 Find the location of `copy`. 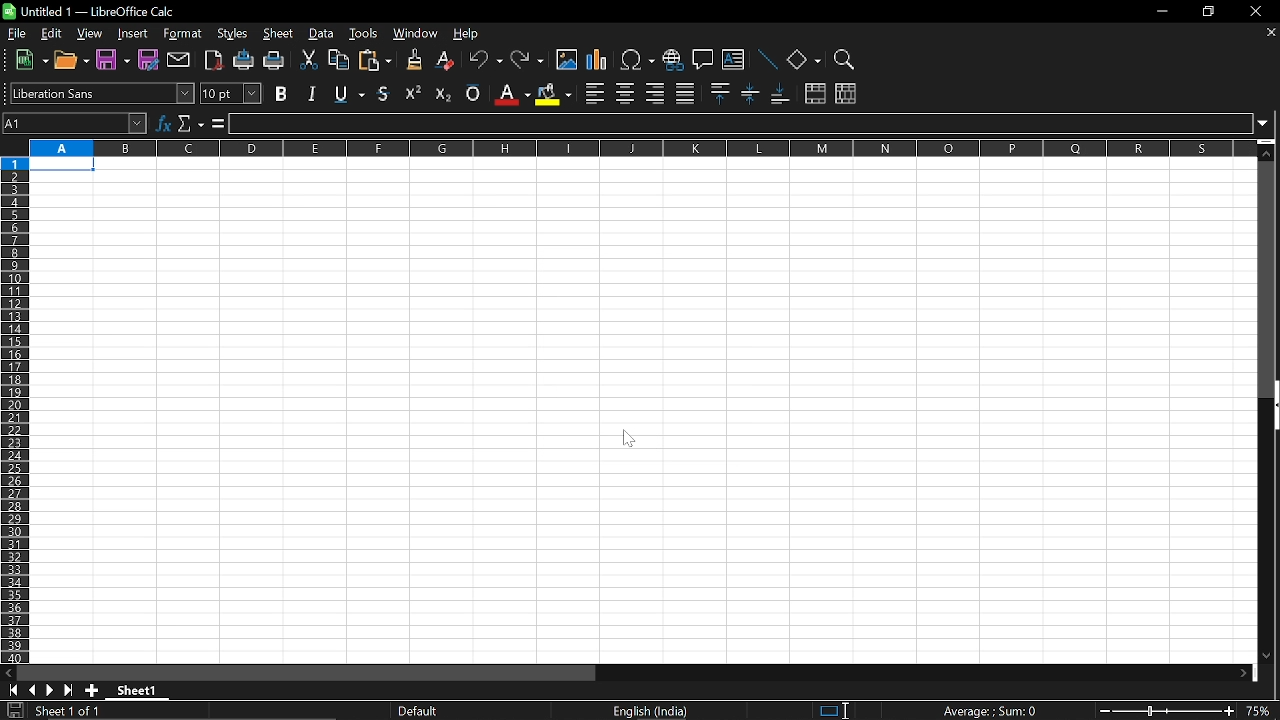

copy is located at coordinates (337, 63).